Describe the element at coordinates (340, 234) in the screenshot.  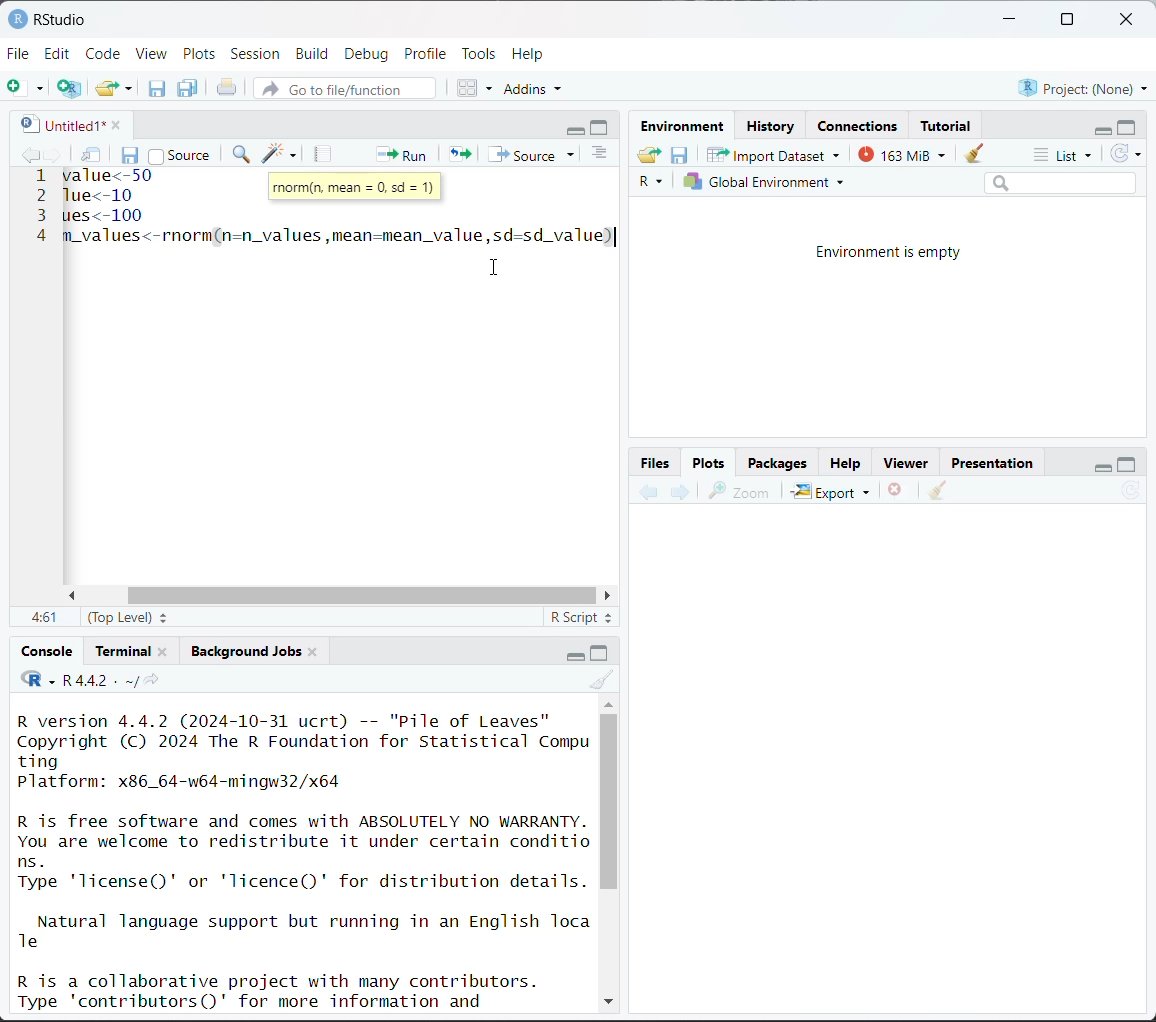
I see `m_values<-rnorm(n=n_values,mean=mean_value,sd=sd_value)` at that location.